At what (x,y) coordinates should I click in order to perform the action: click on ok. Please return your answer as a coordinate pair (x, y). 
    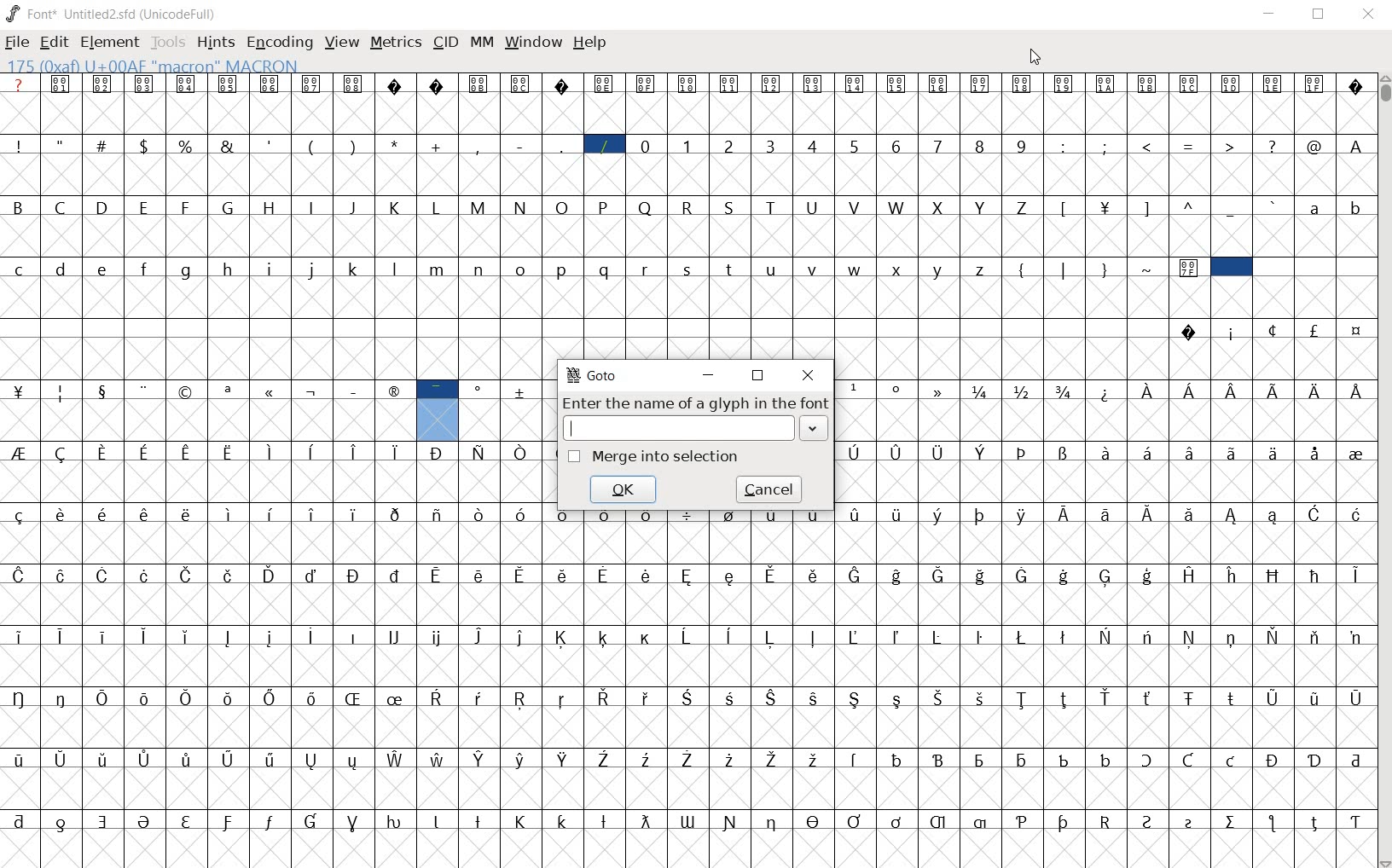
    Looking at the image, I should click on (624, 490).